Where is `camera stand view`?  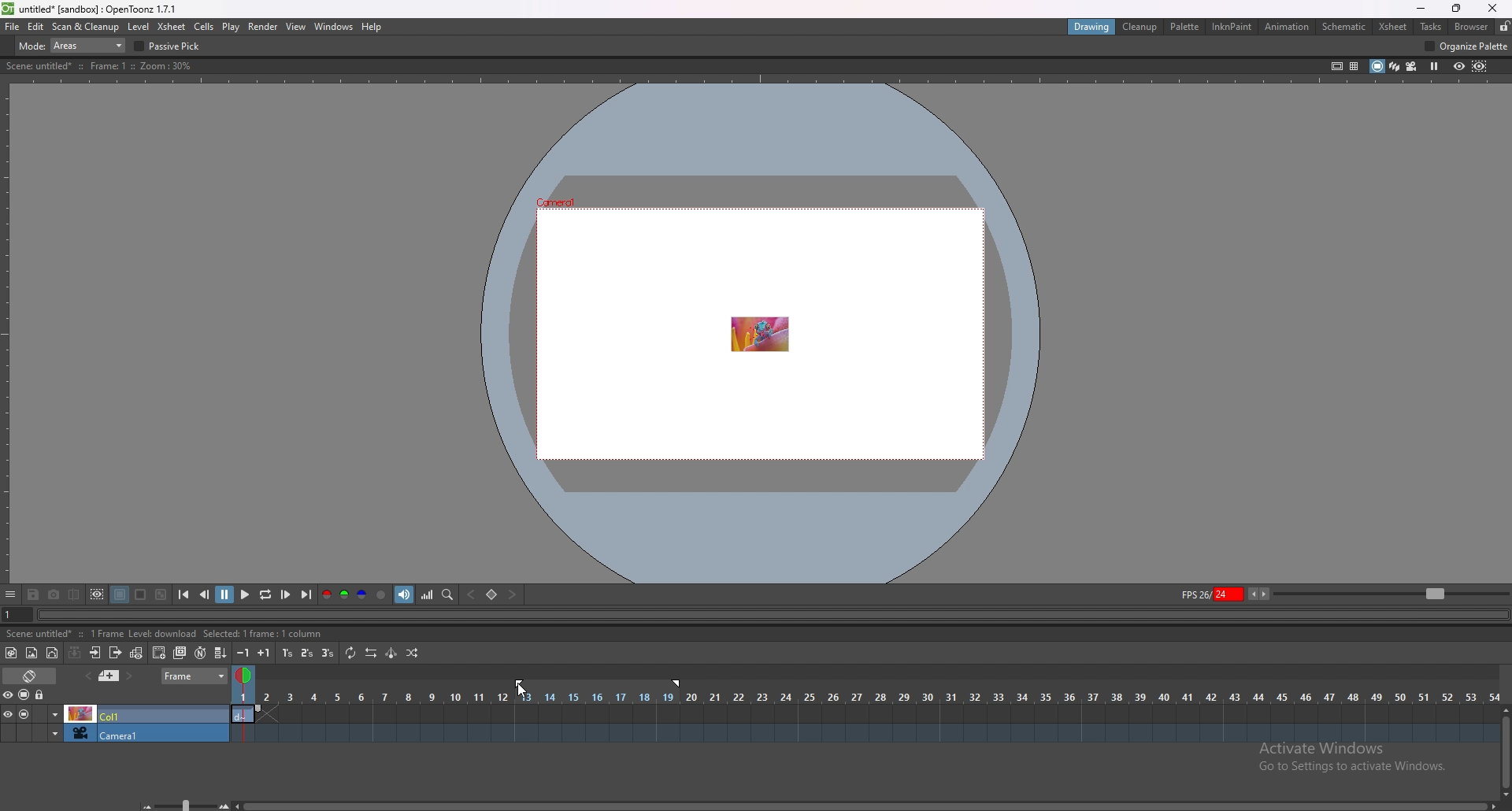 camera stand view is located at coordinates (1376, 66).